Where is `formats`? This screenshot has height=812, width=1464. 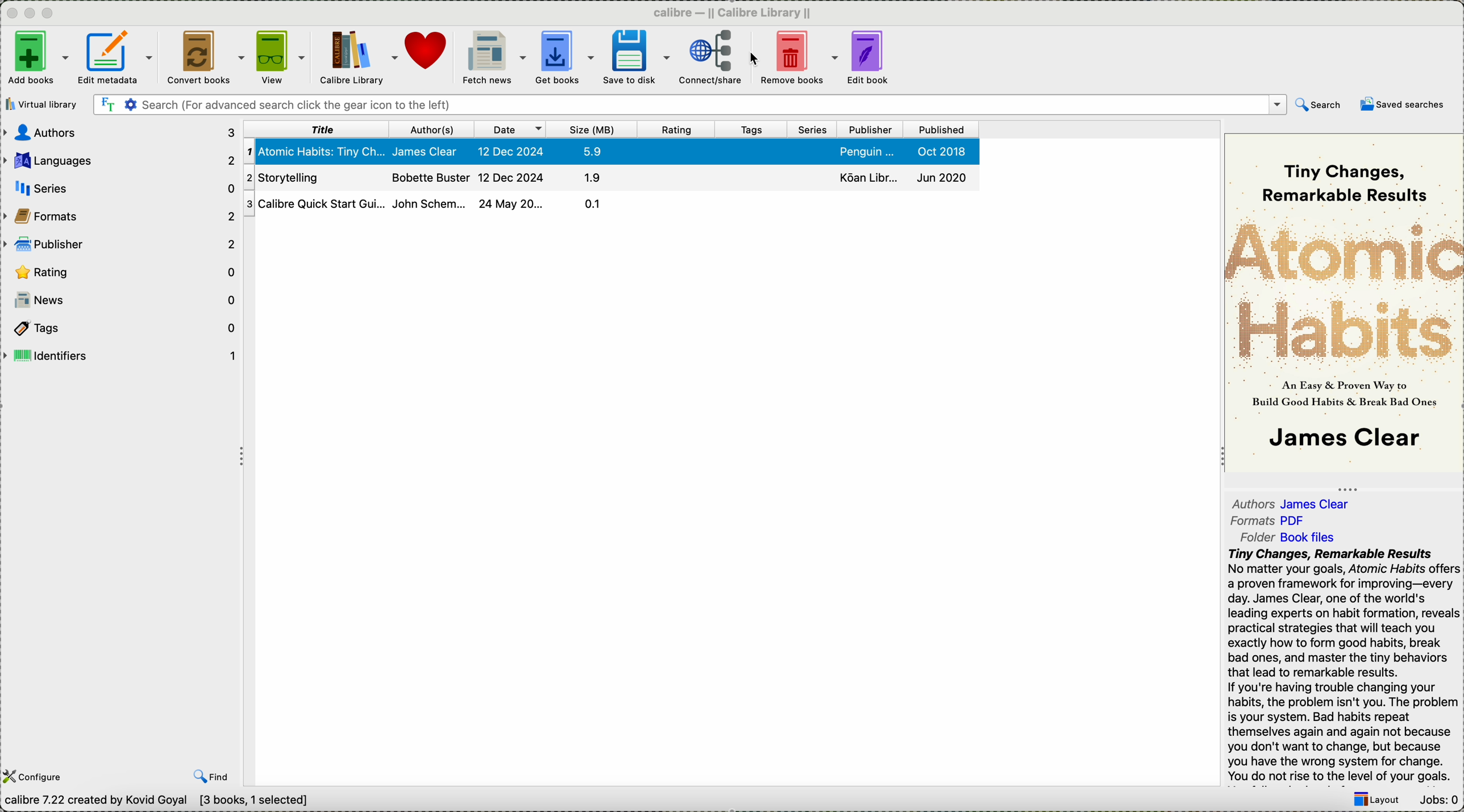
formats is located at coordinates (121, 215).